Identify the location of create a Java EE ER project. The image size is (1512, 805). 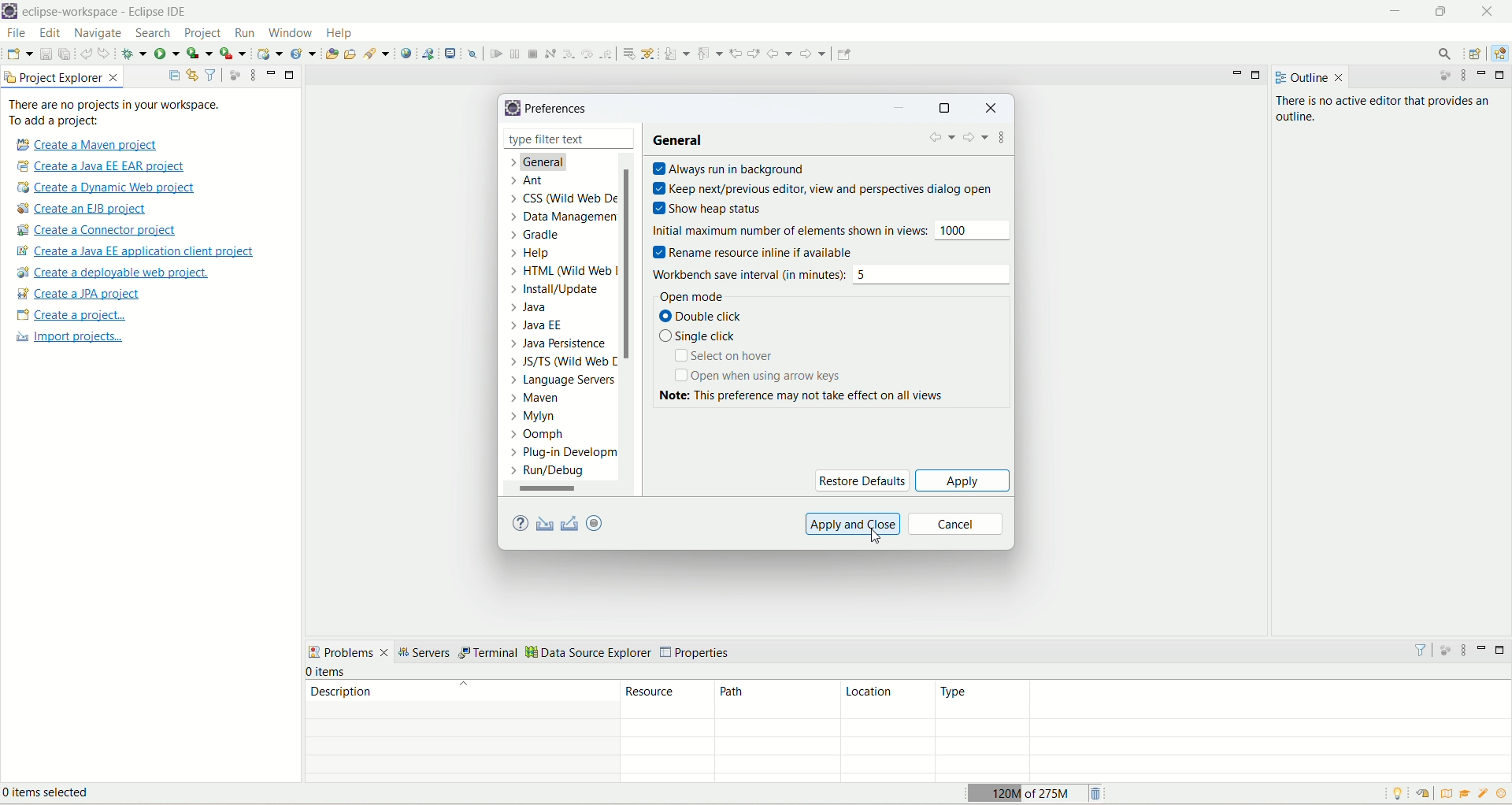
(105, 166).